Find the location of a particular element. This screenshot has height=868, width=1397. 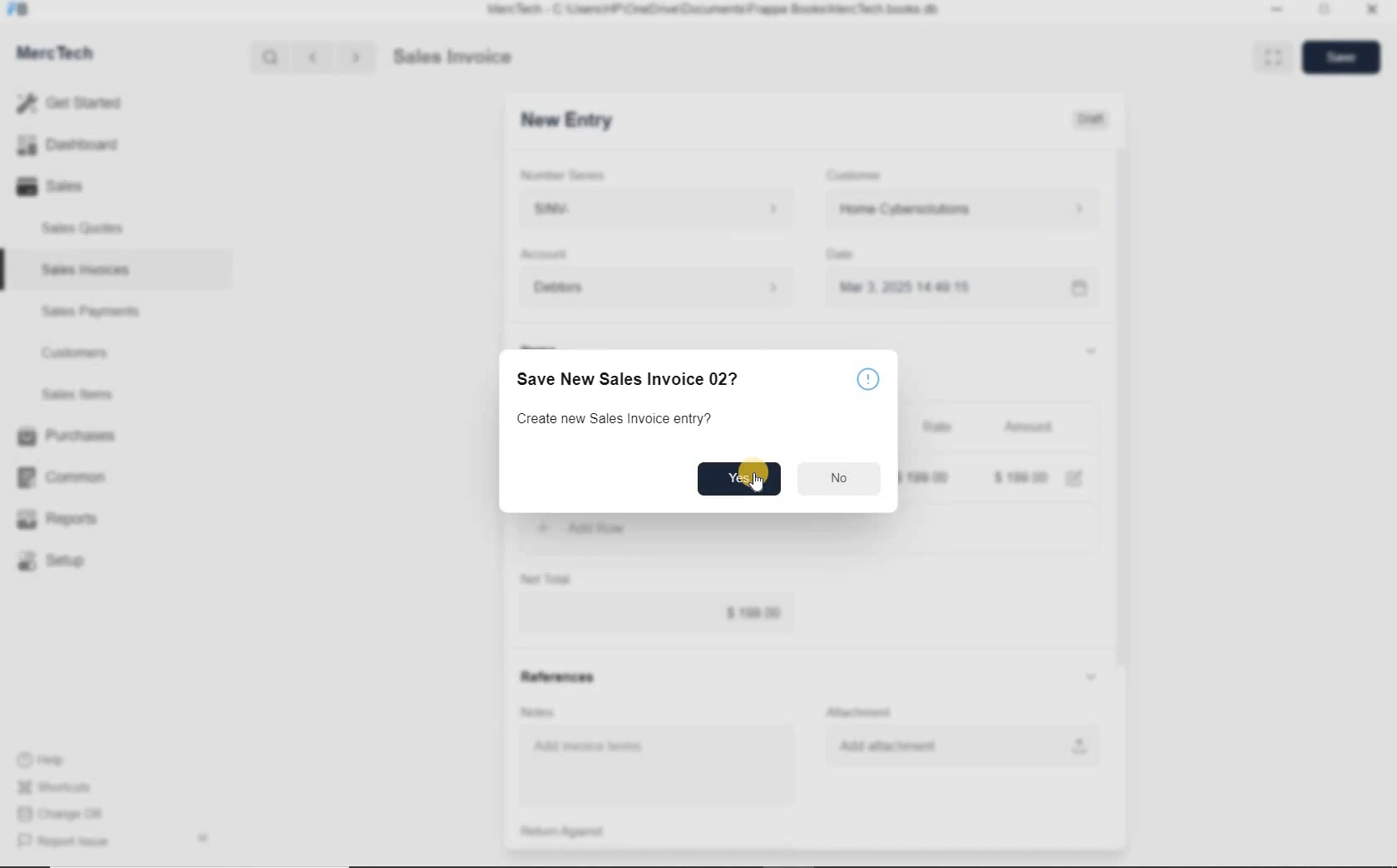

Go back is located at coordinates (315, 57).